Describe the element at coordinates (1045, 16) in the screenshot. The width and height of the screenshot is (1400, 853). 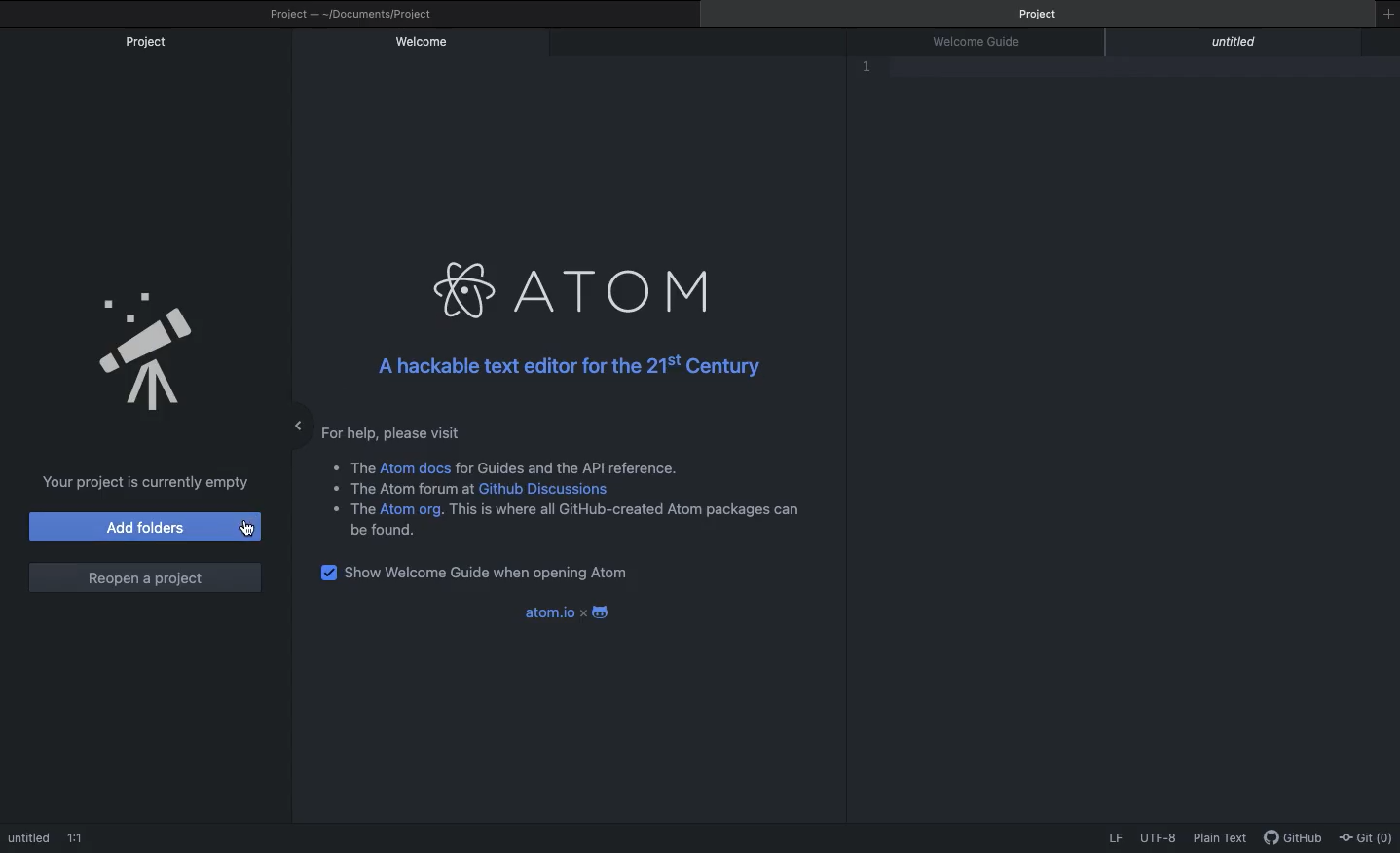
I see `Project` at that location.